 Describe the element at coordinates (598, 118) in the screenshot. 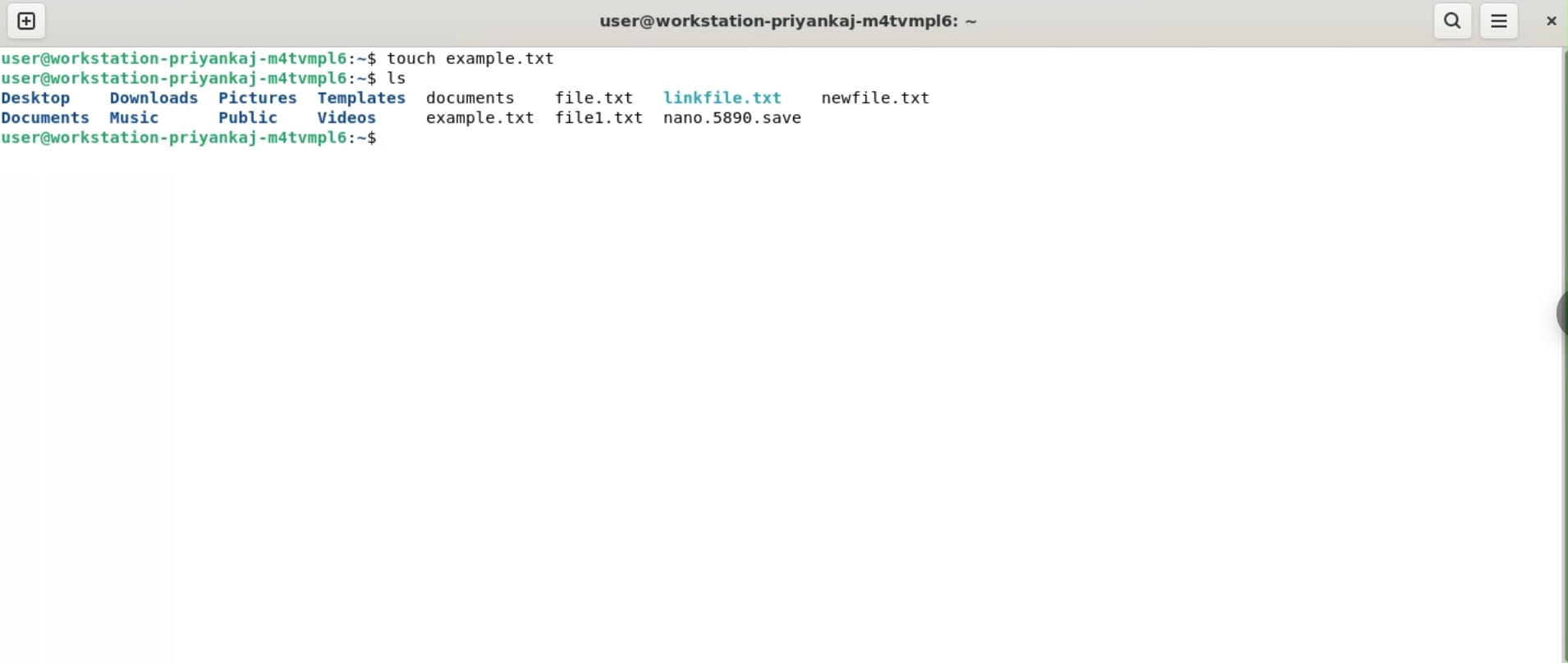

I see `file1.txt` at that location.